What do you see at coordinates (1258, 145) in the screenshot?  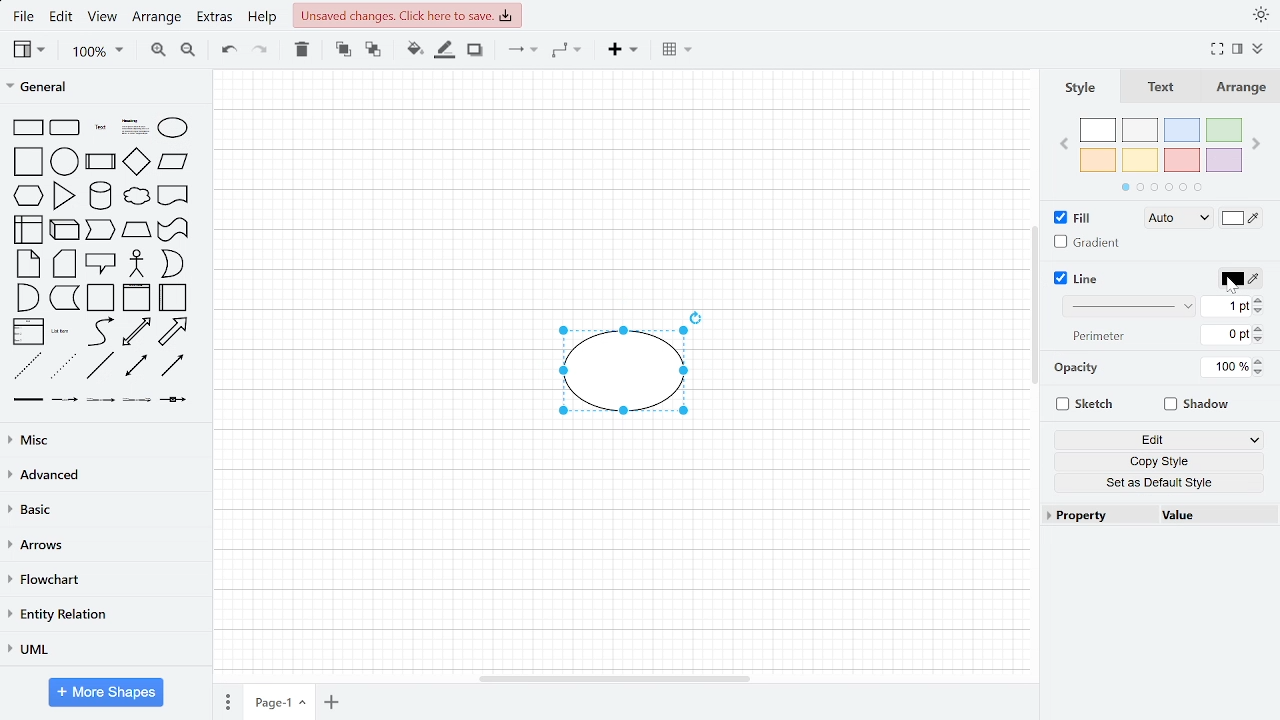 I see `Next` at bounding box center [1258, 145].